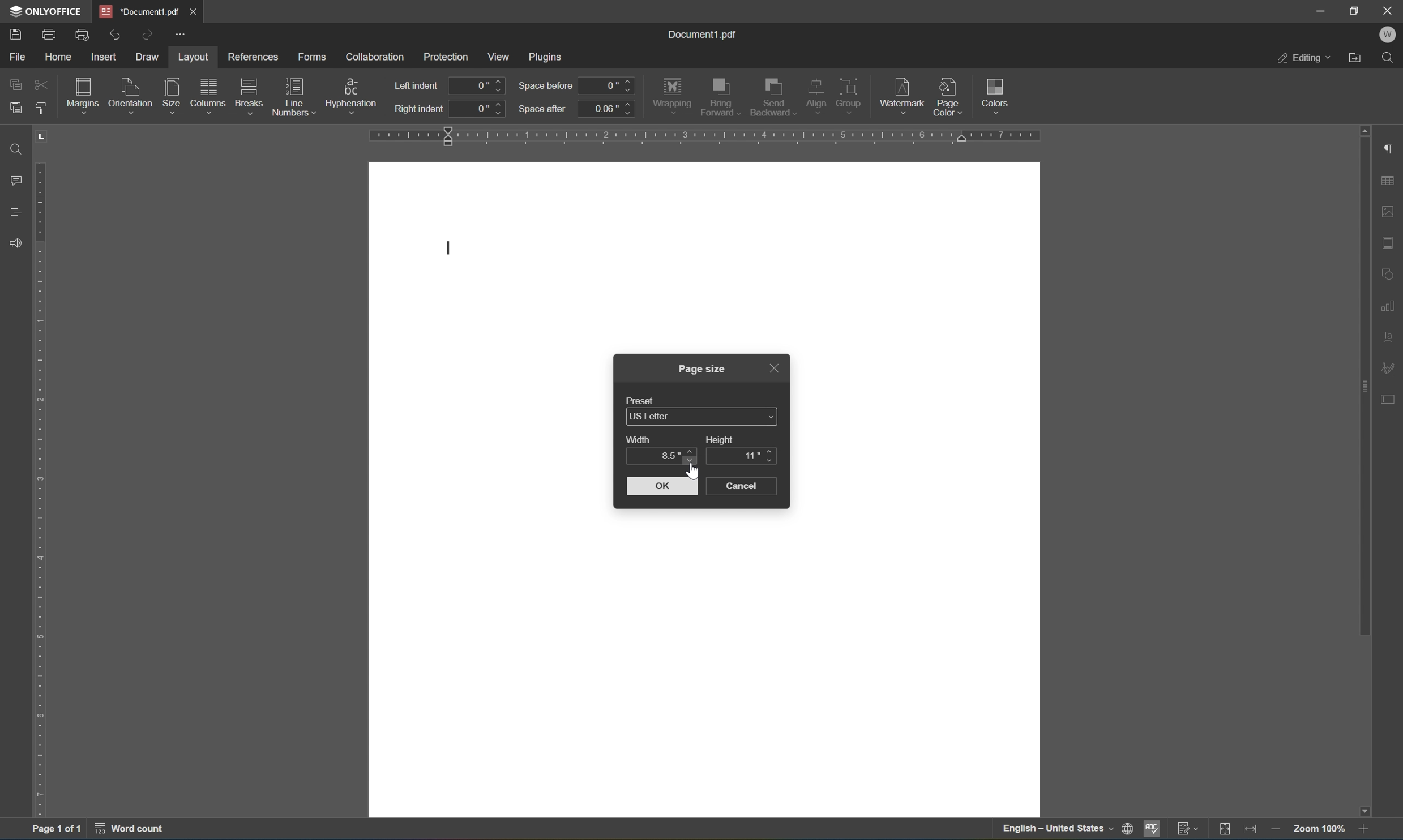  Describe the element at coordinates (1389, 213) in the screenshot. I see `image settings` at that location.